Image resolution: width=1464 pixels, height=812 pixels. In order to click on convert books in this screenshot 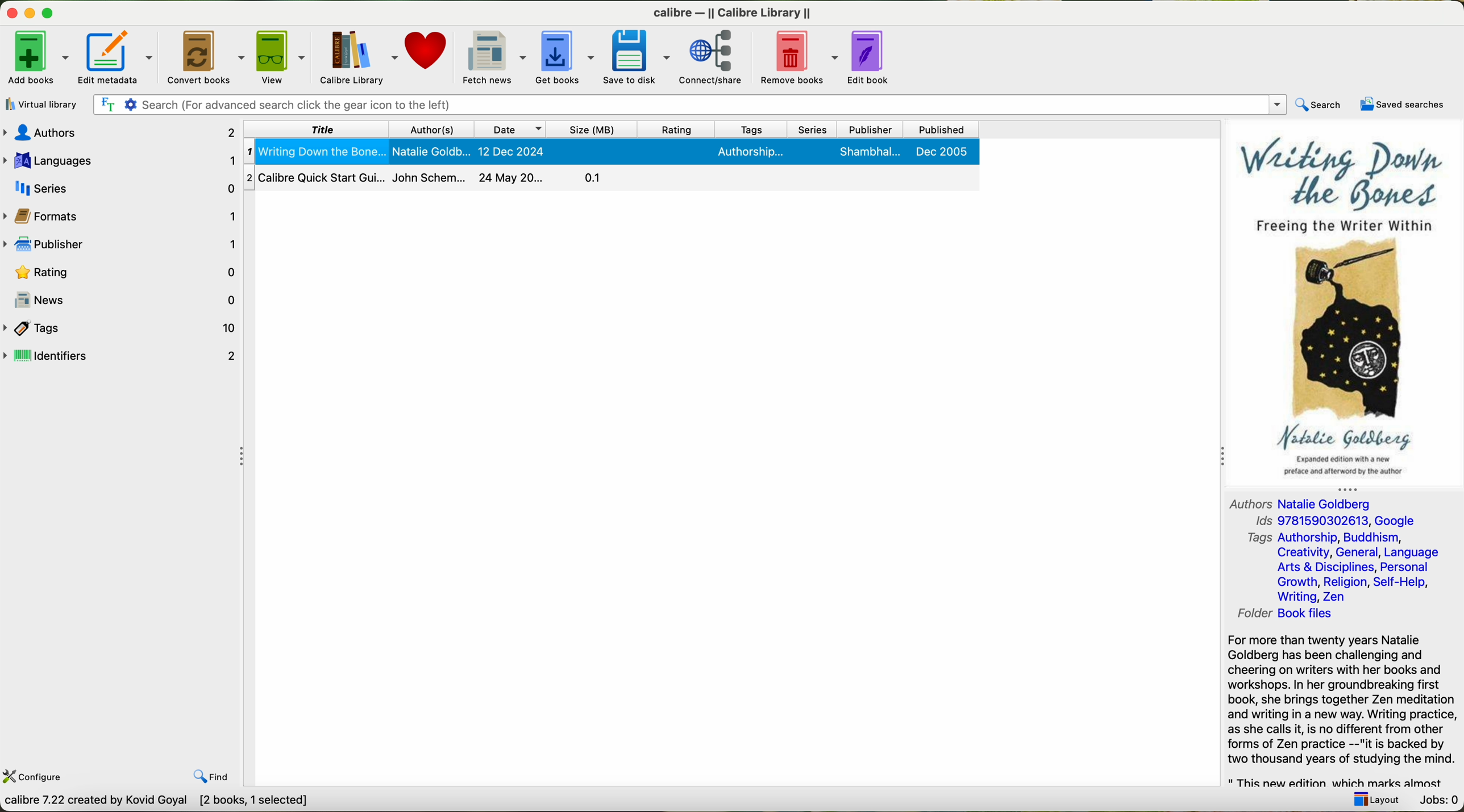, I will do `click(207, 57)`.